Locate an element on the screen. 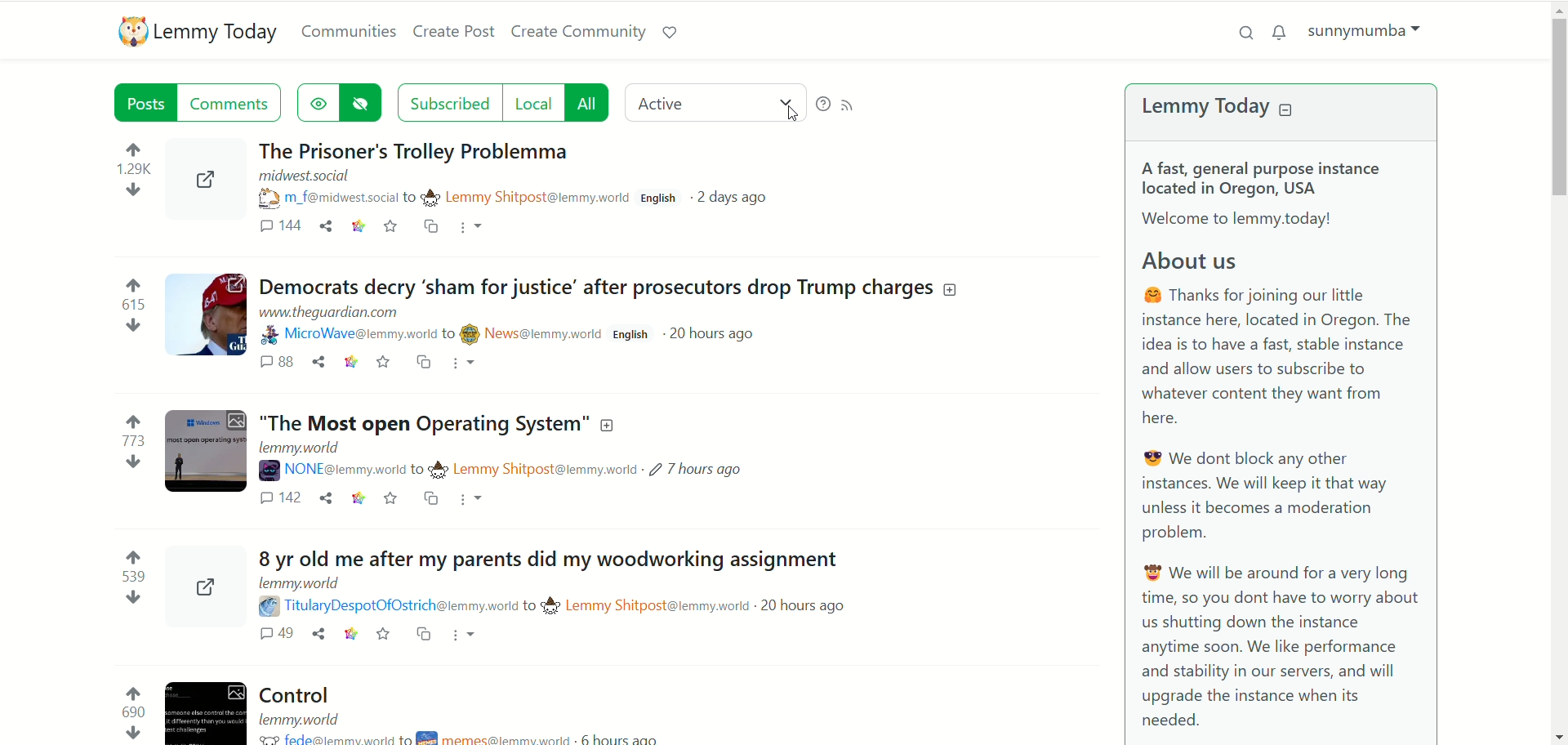  m_f@midwest.social to Lemmy Shitpost@lemmy.world is located at coordinates (443, 197).